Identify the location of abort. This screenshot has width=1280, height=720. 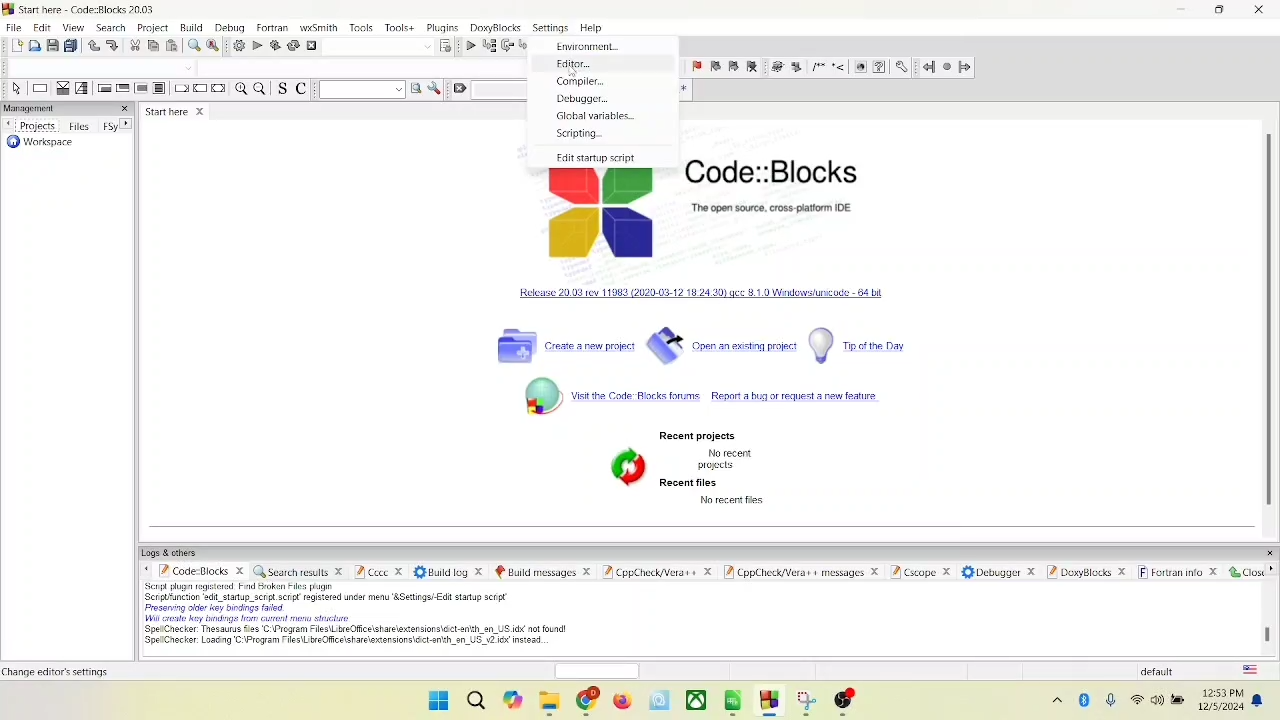
(312, 46).